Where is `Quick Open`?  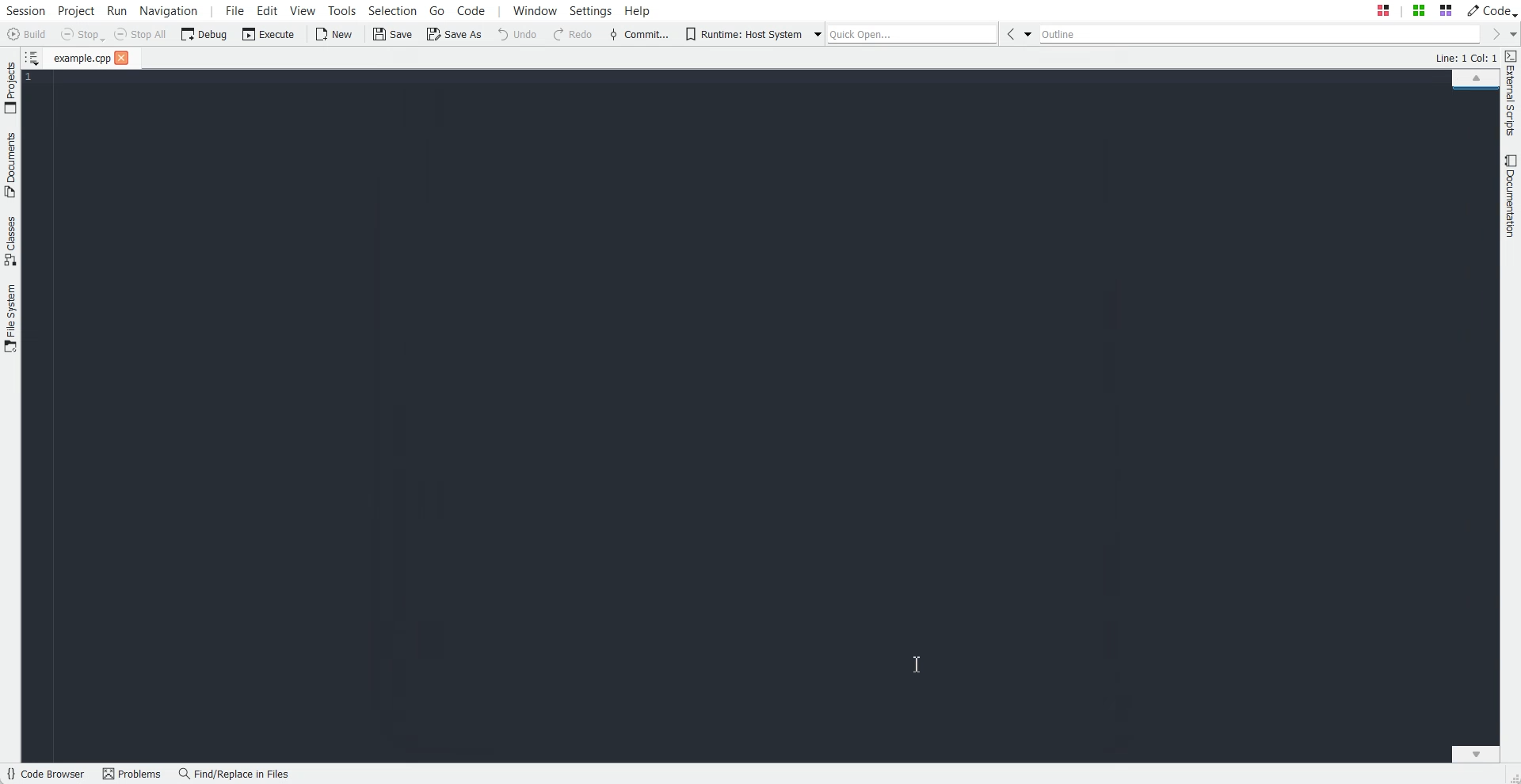
Quick Open is located at coordinates (913, 33).